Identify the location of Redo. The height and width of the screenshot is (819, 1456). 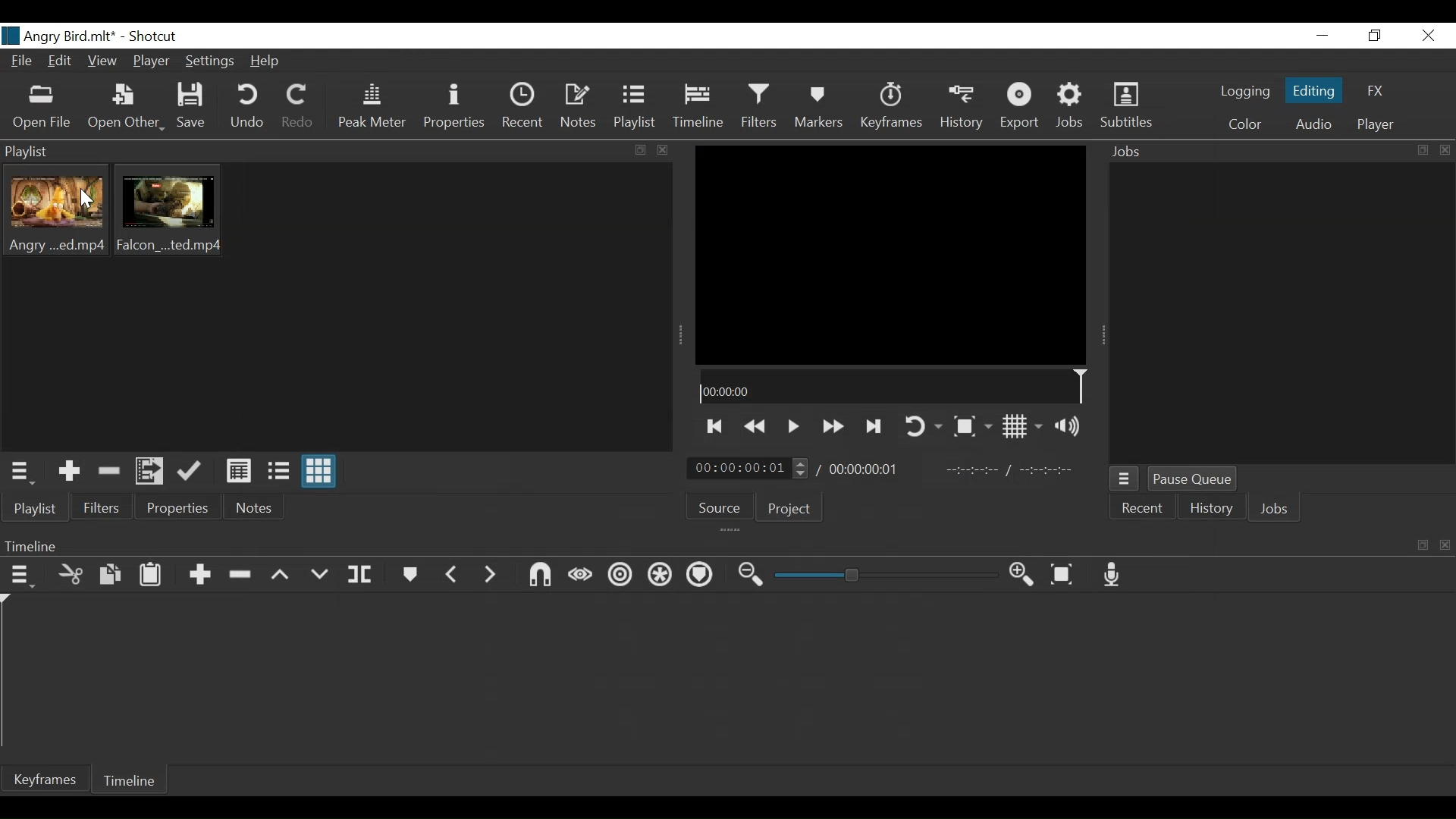
(297, 107).